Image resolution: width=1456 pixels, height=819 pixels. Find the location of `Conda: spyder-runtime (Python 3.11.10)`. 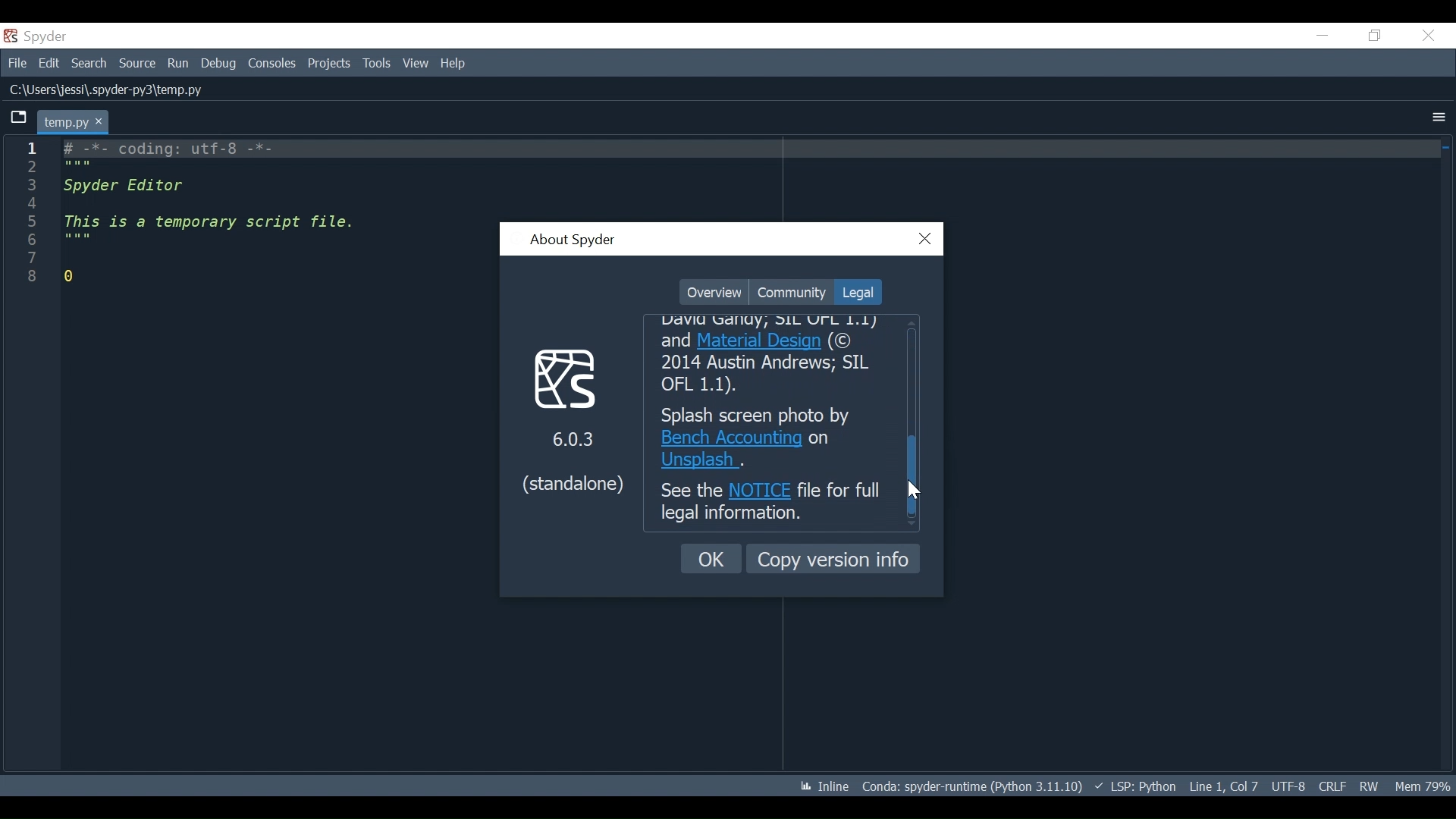

Conda: spyder-runtime (Python 3.11.10) is located at coordinates (973, 789).